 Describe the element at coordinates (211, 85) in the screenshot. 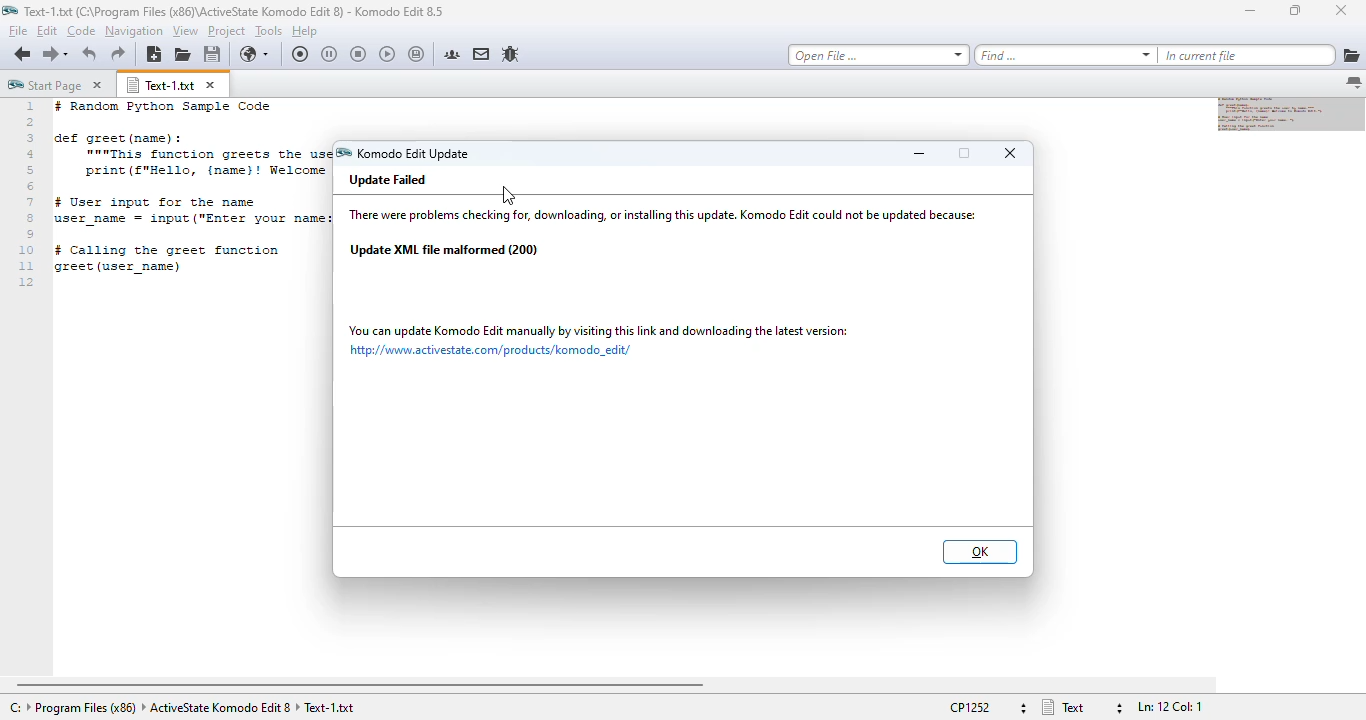

I see `close tab` at that location.